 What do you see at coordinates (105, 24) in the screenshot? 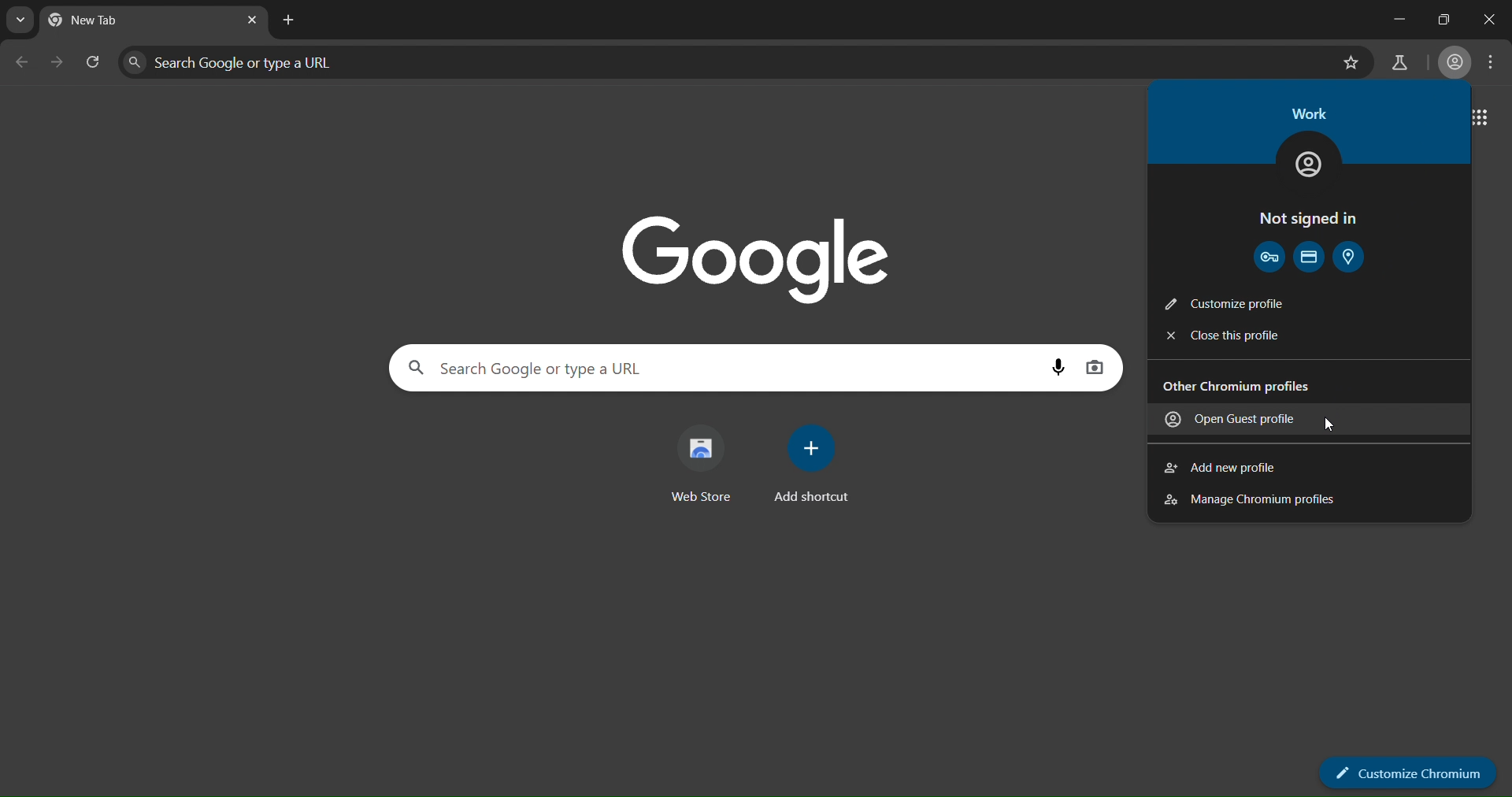
I see `current tab` at bounding box center [105, 24].